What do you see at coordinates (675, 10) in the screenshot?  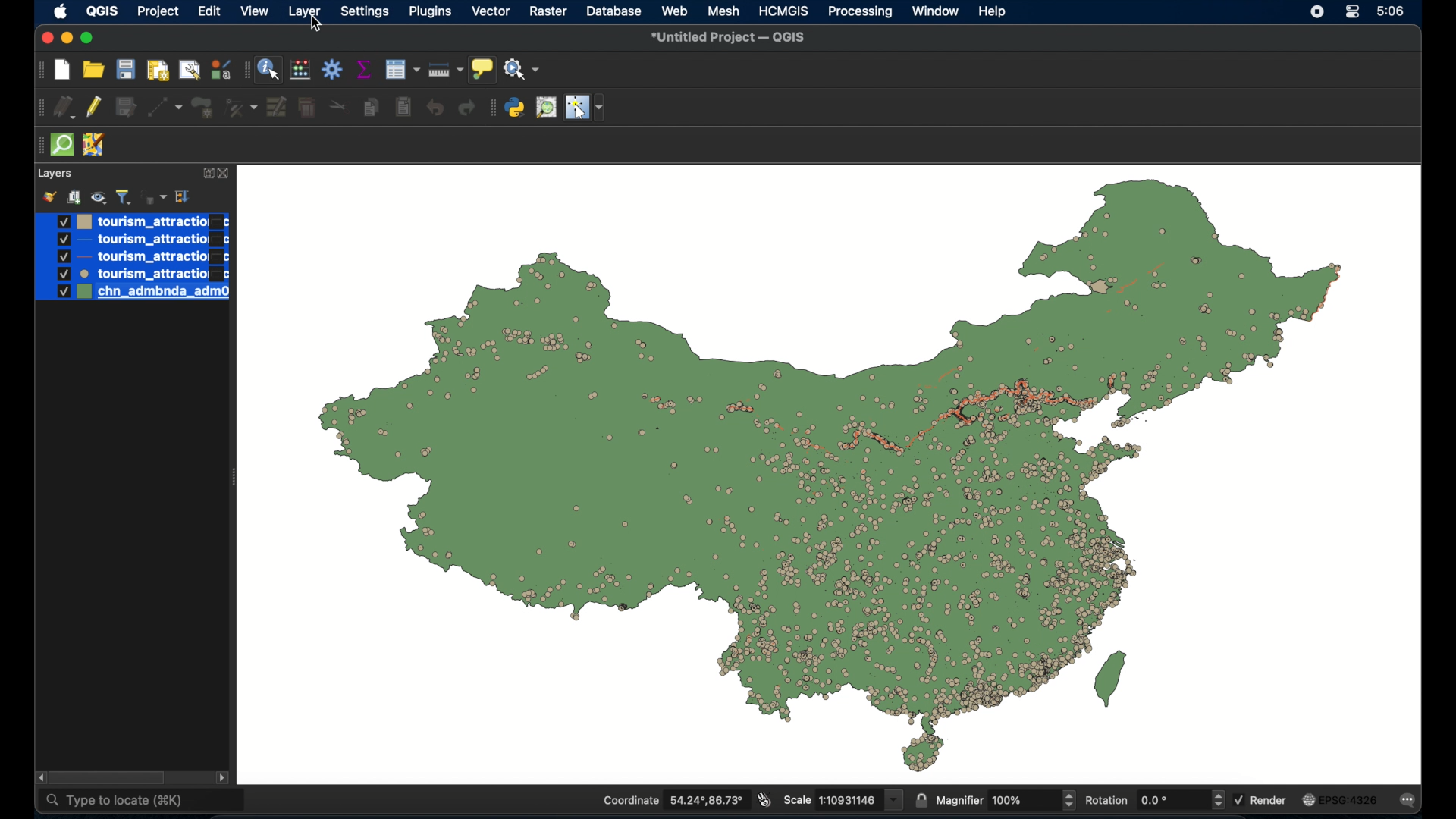 I see `web` at bounding box center [675, 10].